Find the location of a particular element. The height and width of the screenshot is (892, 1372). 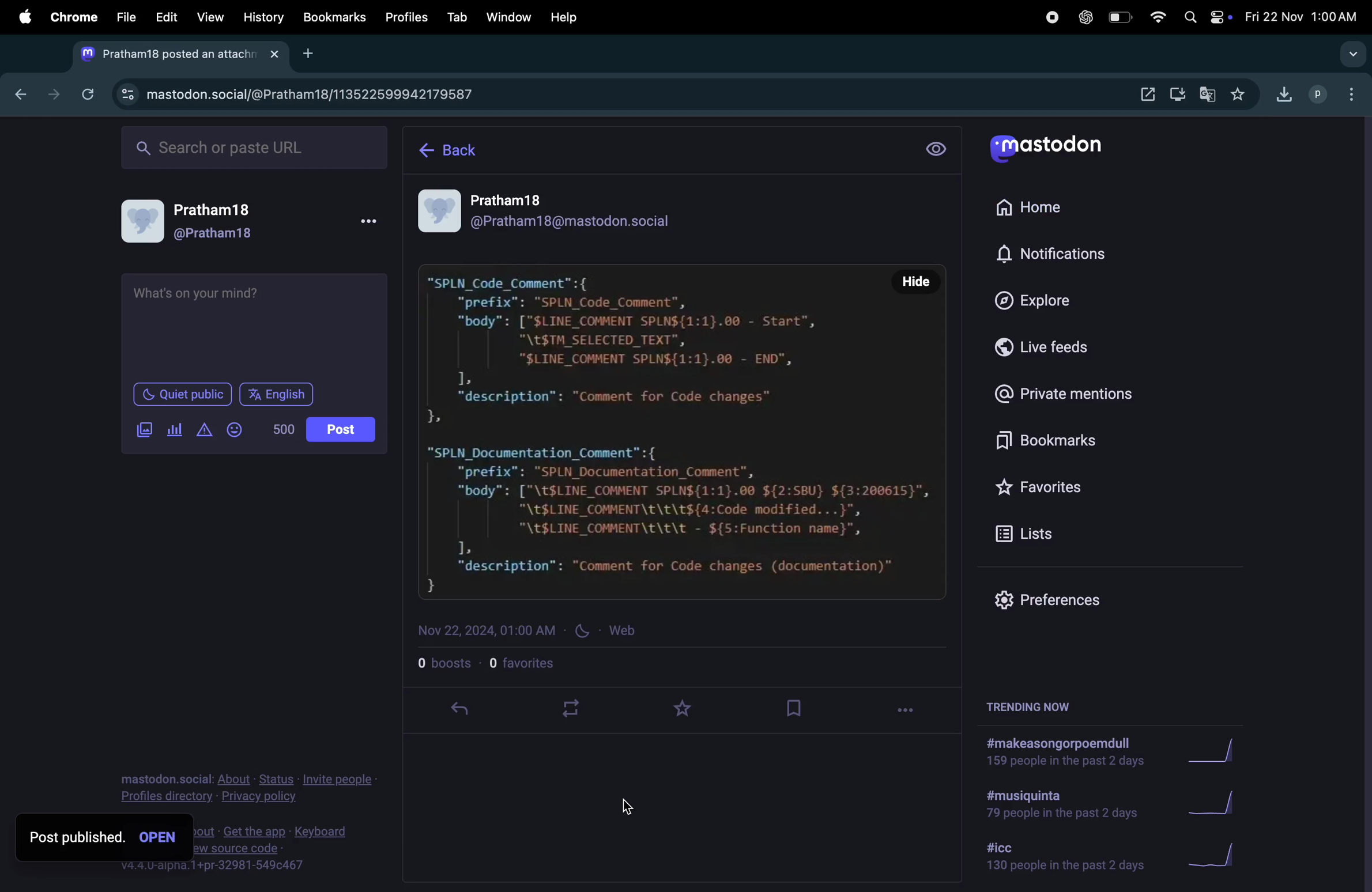

status is located at coordinates (278, 780).